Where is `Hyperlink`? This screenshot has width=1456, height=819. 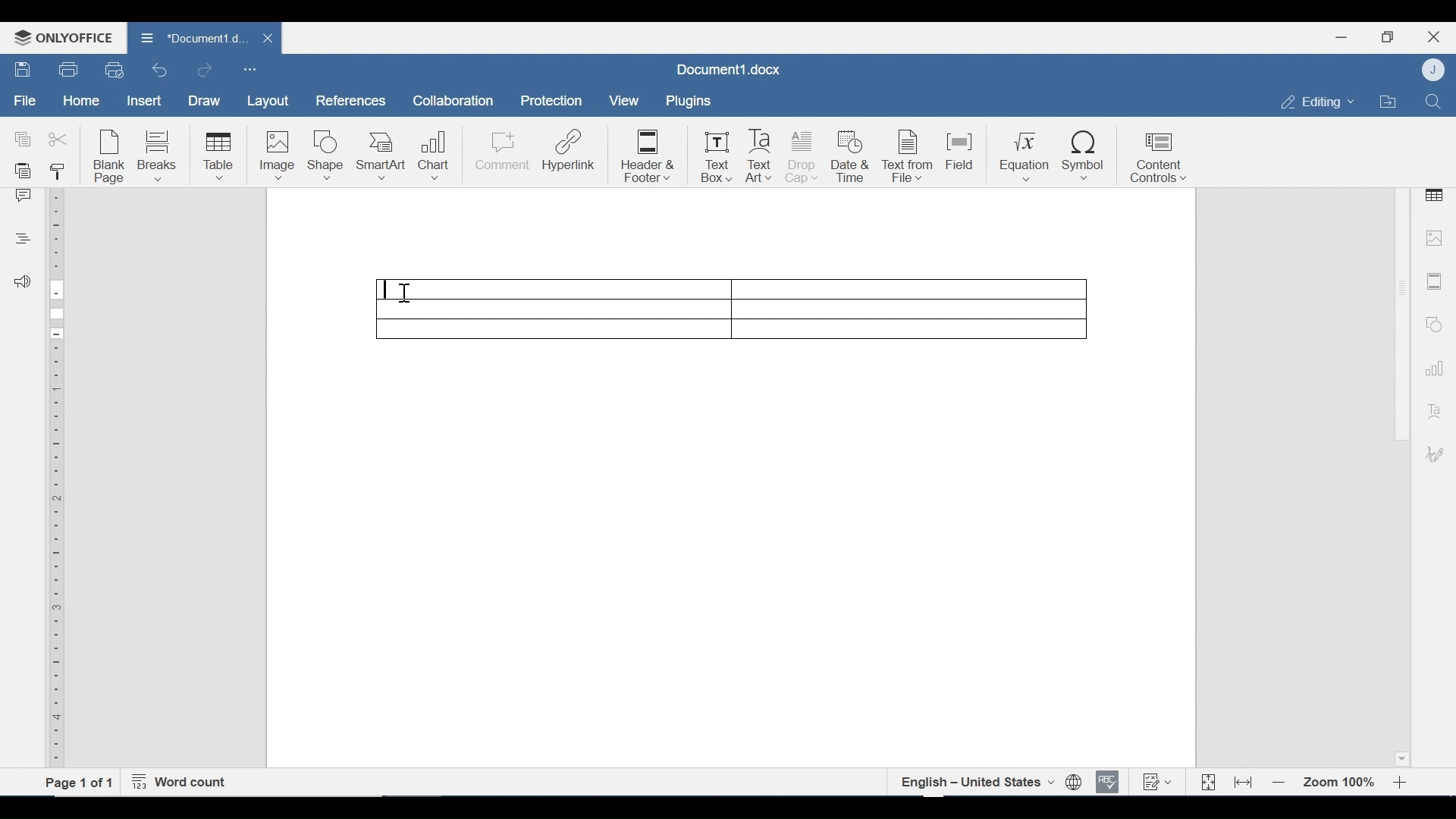
Hyperlink is located at coordinates (571, 158).